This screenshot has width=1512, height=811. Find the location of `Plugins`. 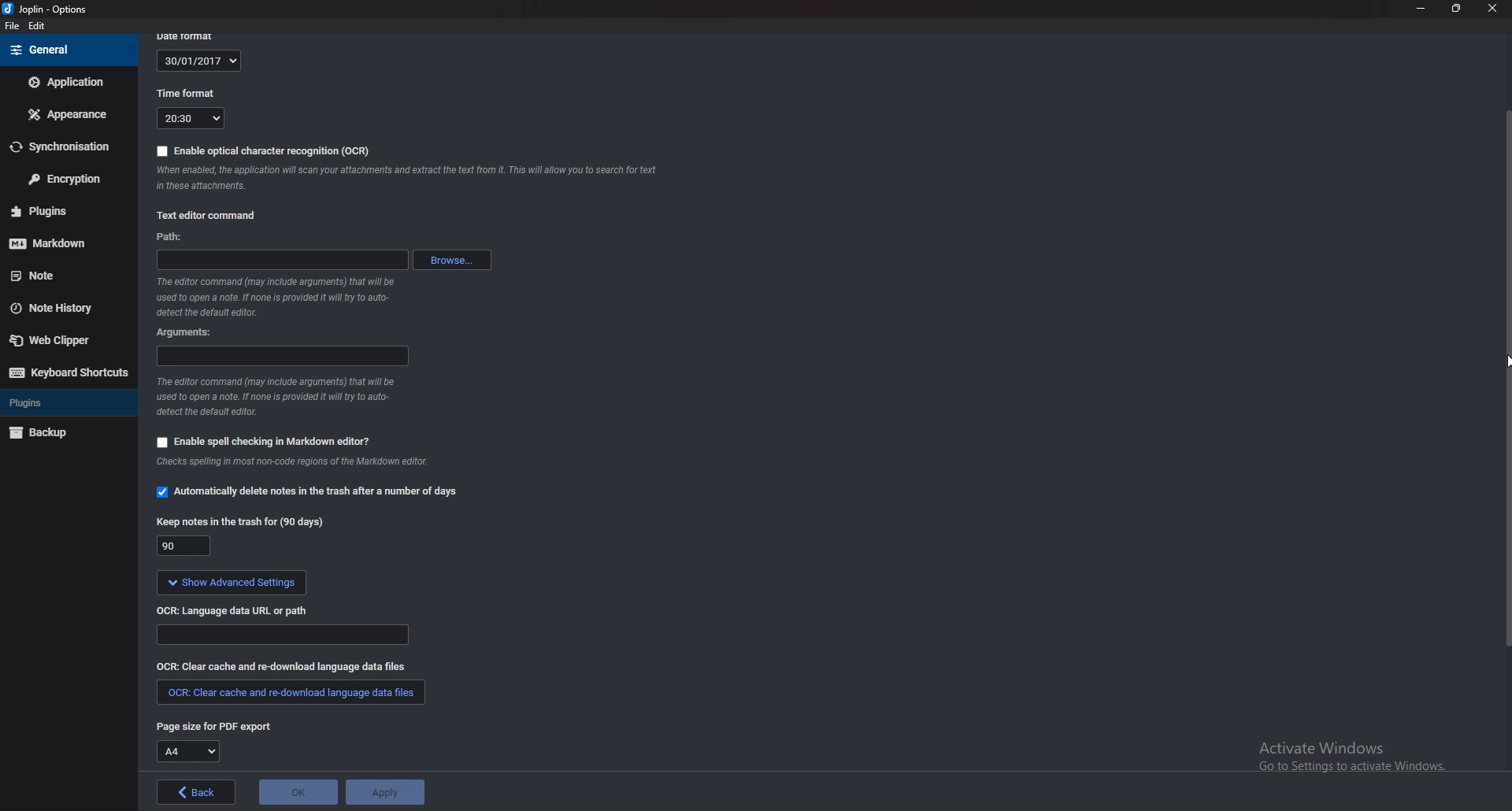

Plugins is located at coordinates (57, 402).